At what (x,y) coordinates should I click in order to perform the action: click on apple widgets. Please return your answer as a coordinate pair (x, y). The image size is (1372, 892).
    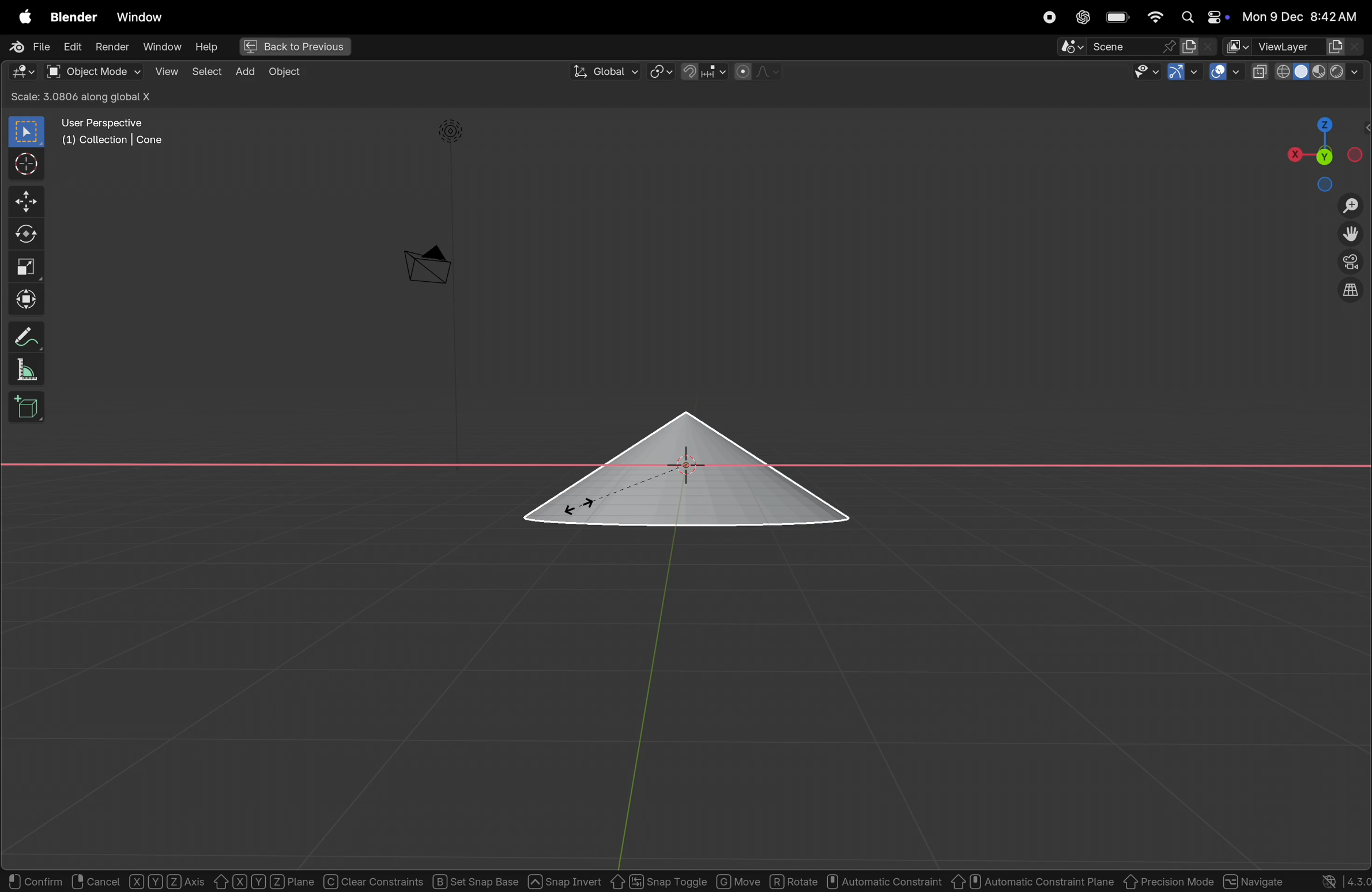
    Looking at the image, I should click on (1201, 17).